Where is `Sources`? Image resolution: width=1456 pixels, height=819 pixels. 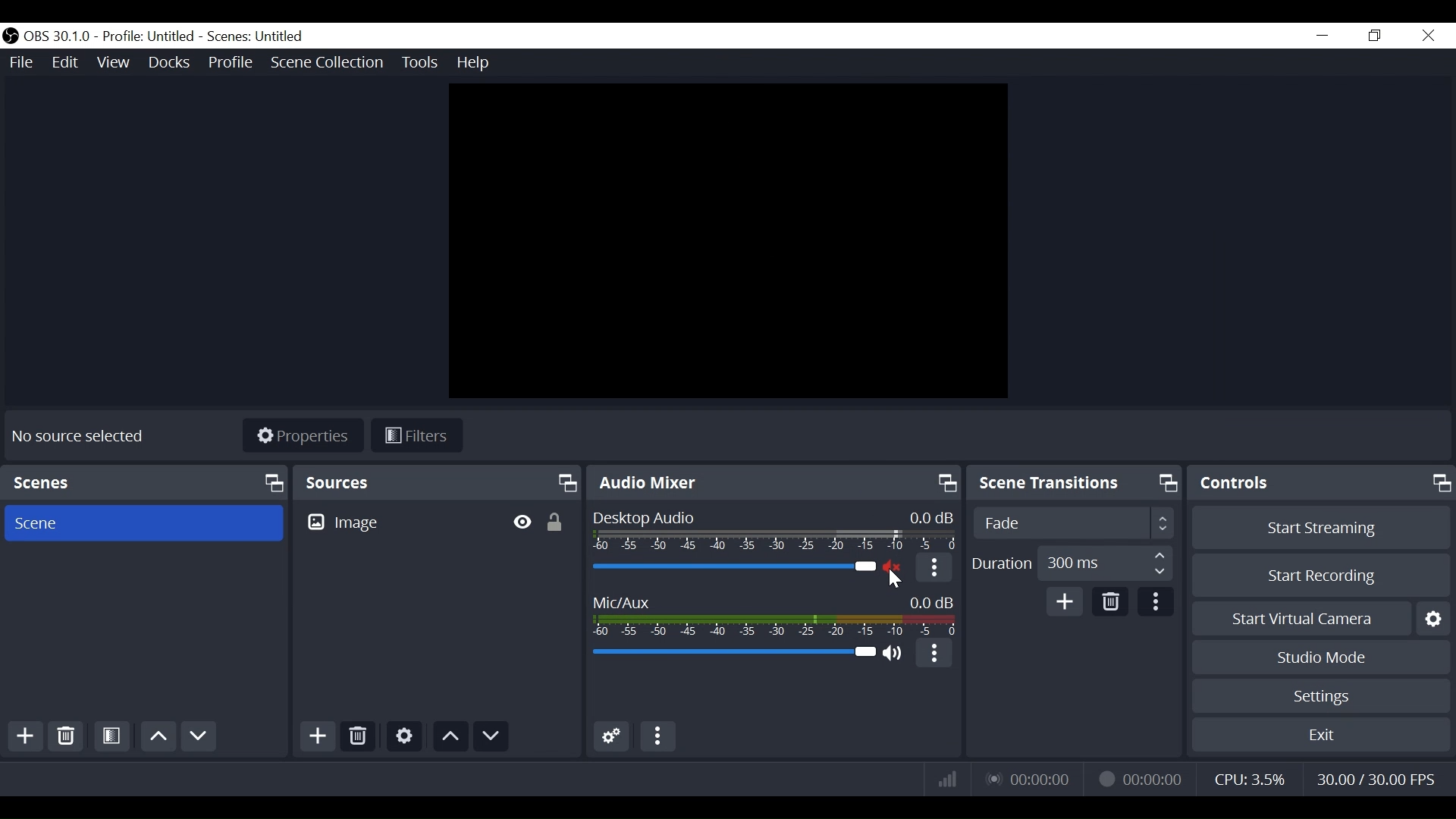
Sources is located at coordinates (440, 483).